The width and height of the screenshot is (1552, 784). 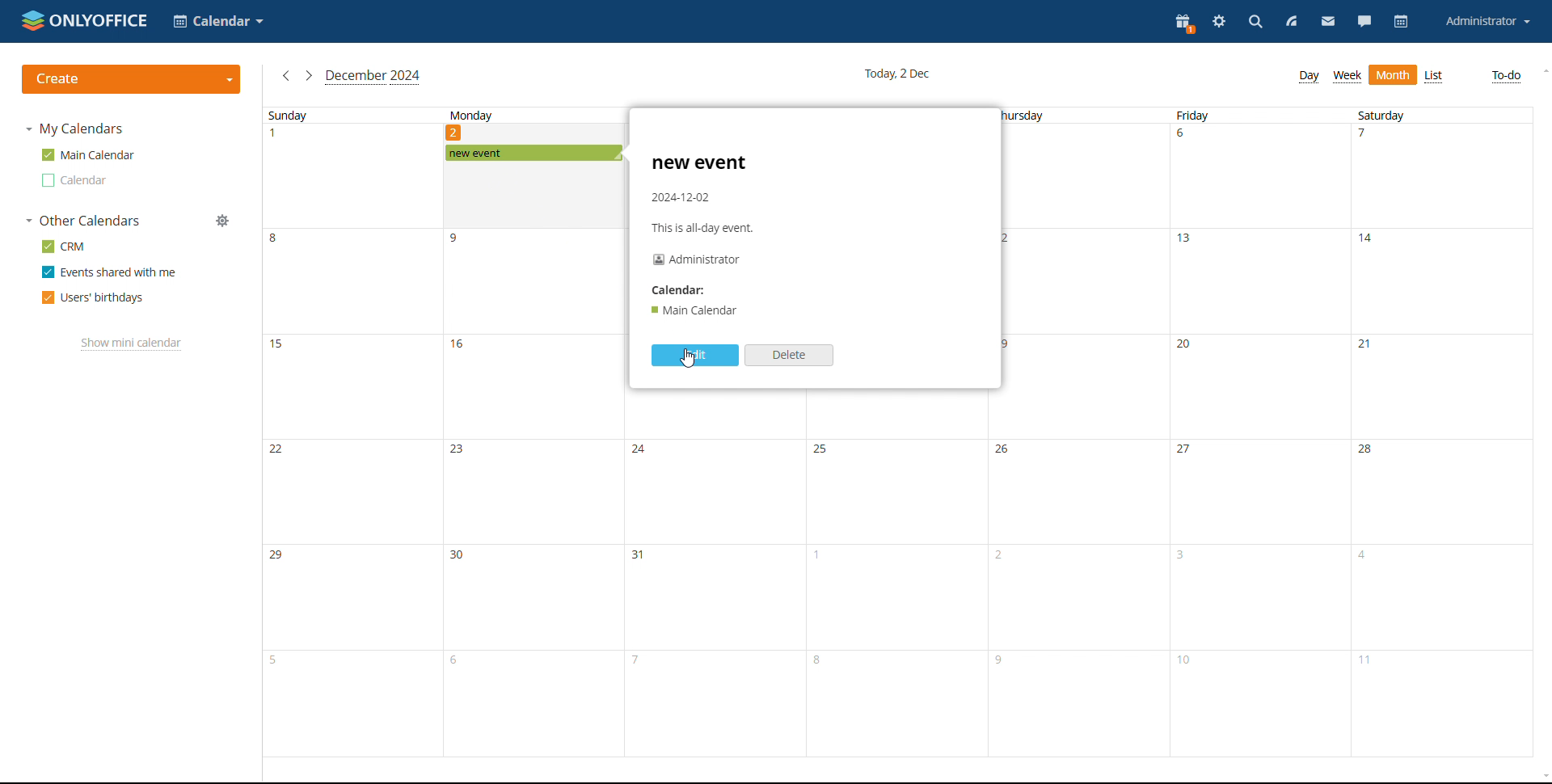 What do you see at coordinates (108, 272) in the screenshot?
I see `events shared with me` at bounding box center [108, 272].